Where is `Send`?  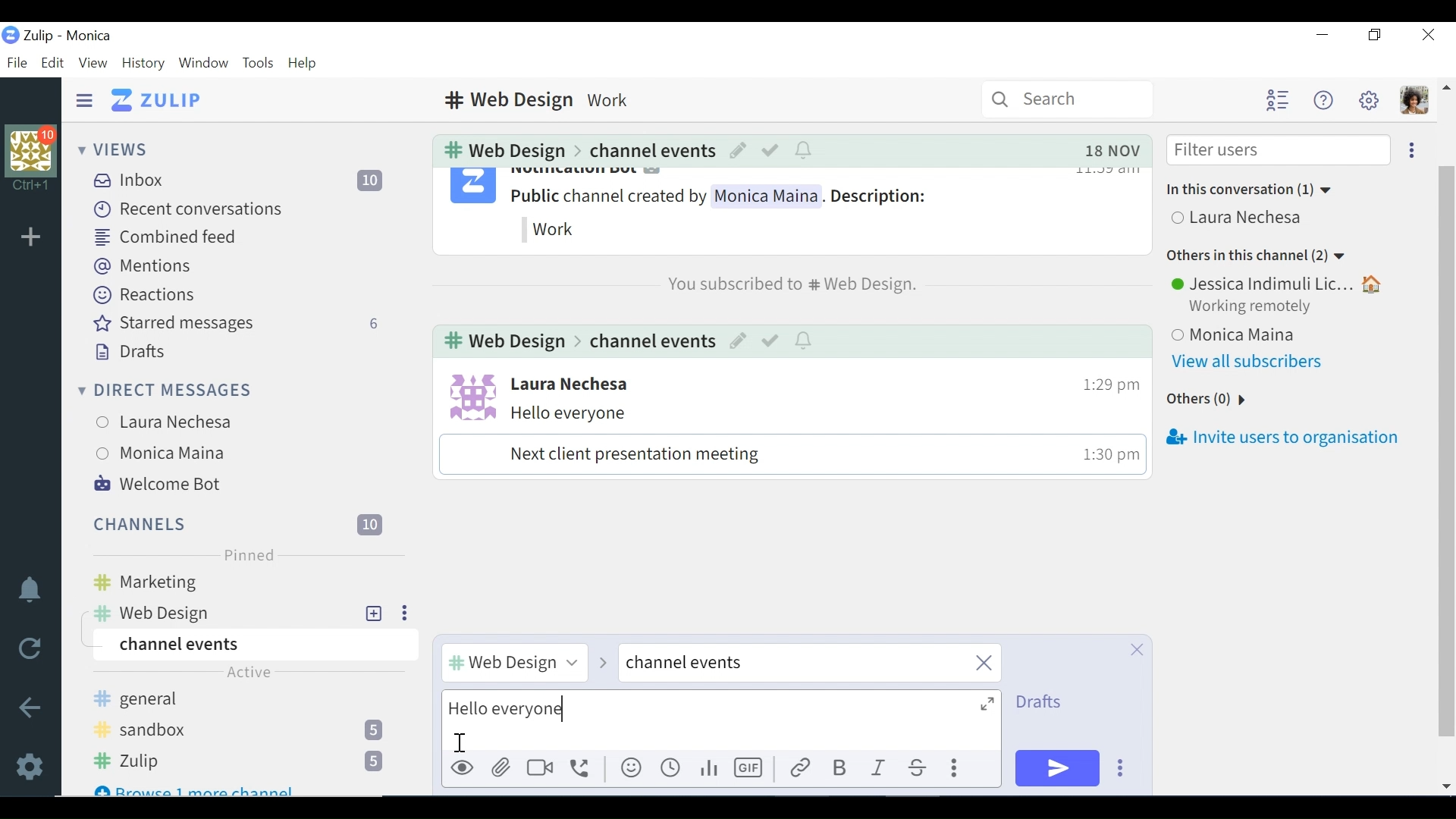
Send is located at coordinates (1058, 768).